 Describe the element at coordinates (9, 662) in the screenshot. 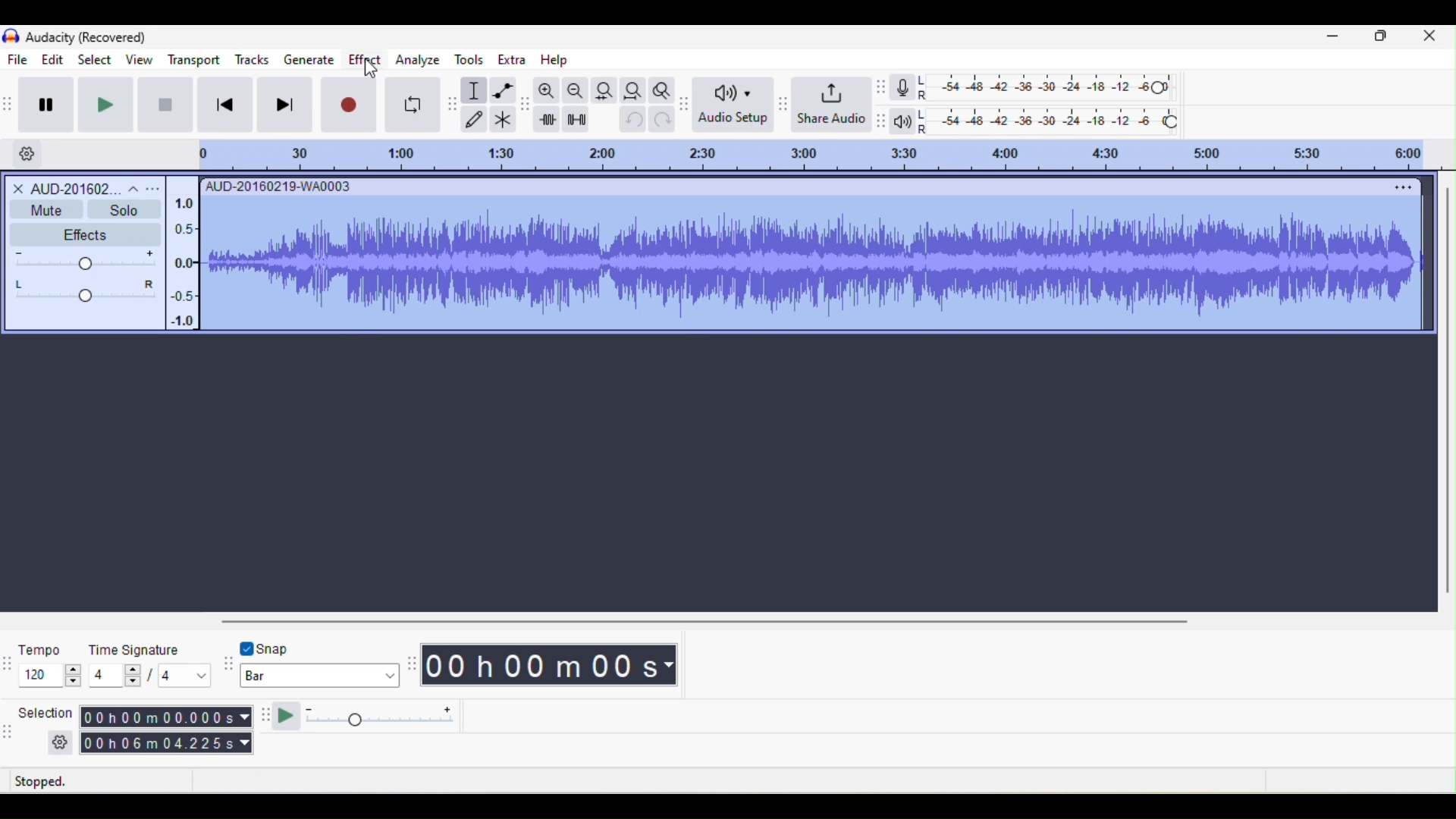

I see `audacity time signature toolbar` at that location.